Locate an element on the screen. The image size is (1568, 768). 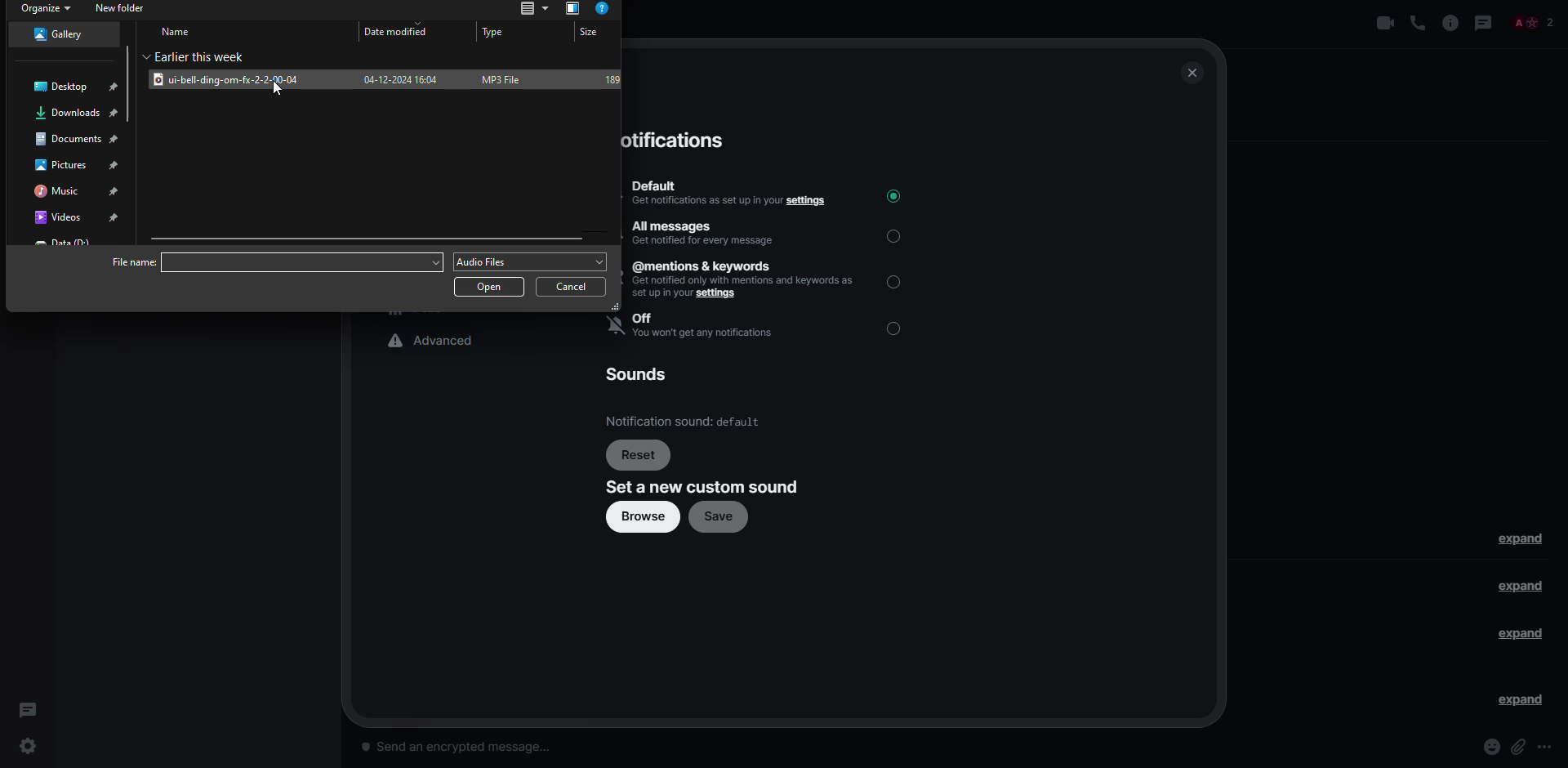
save is located at coordinates (719, 516).